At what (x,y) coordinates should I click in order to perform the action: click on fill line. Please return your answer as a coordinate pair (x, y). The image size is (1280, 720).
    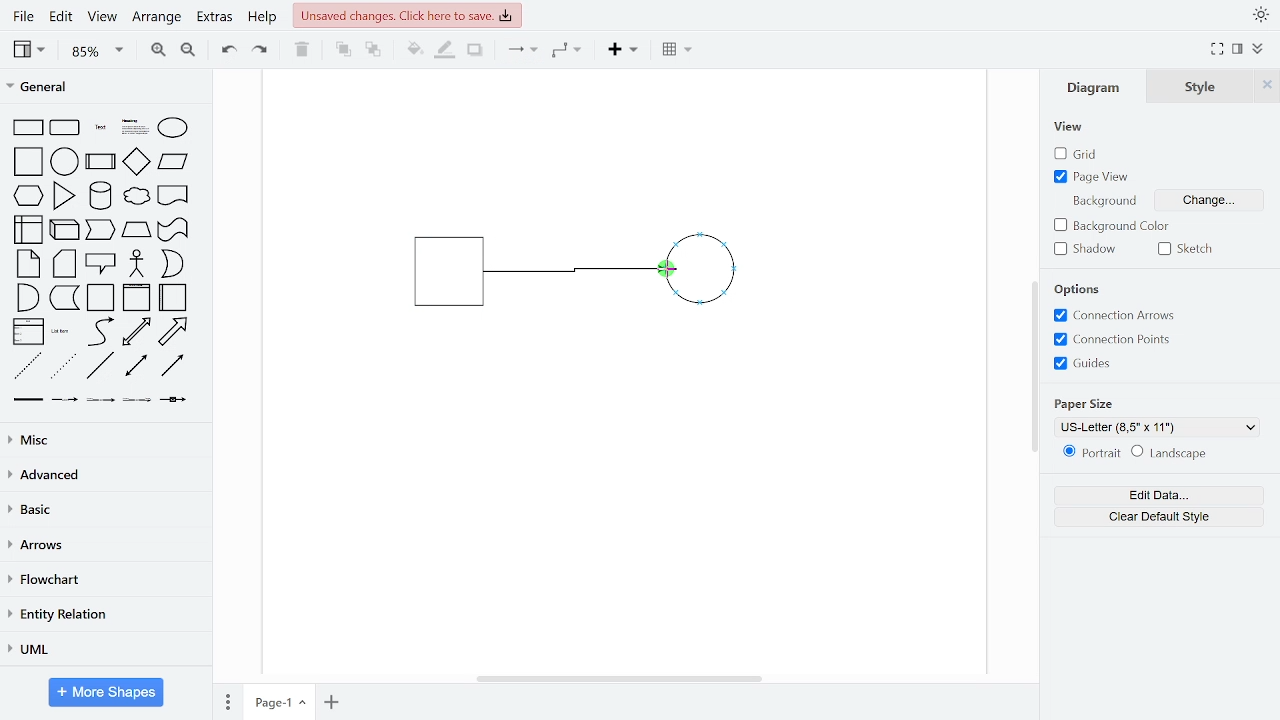
    Looking at the image, I should click on (444, 50).